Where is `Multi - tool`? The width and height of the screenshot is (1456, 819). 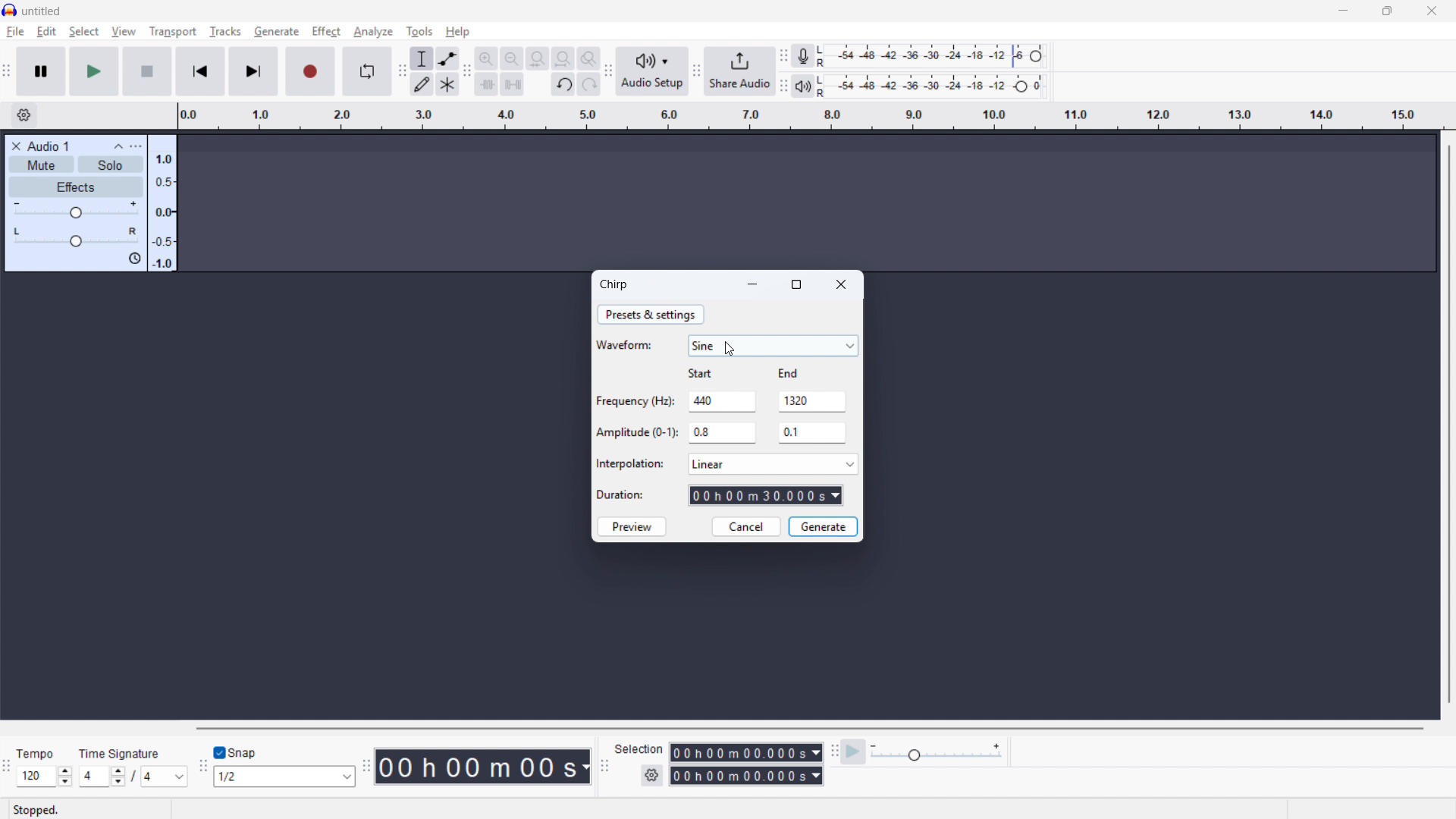 Multi - tool is located at coordinates (448, 84).